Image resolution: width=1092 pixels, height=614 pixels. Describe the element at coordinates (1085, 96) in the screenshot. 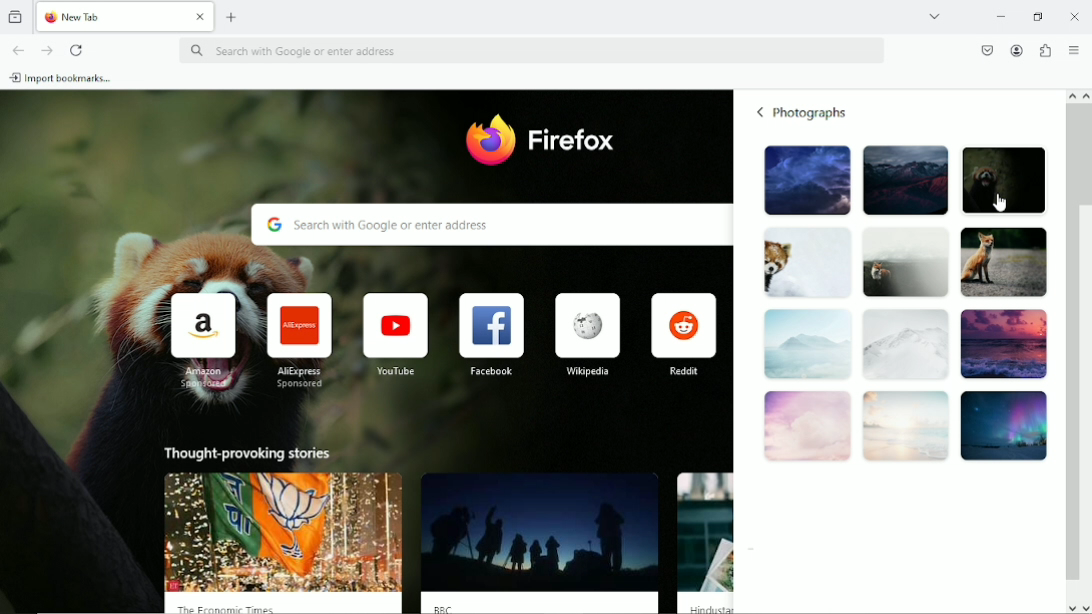

I see `scroll up` at that location.